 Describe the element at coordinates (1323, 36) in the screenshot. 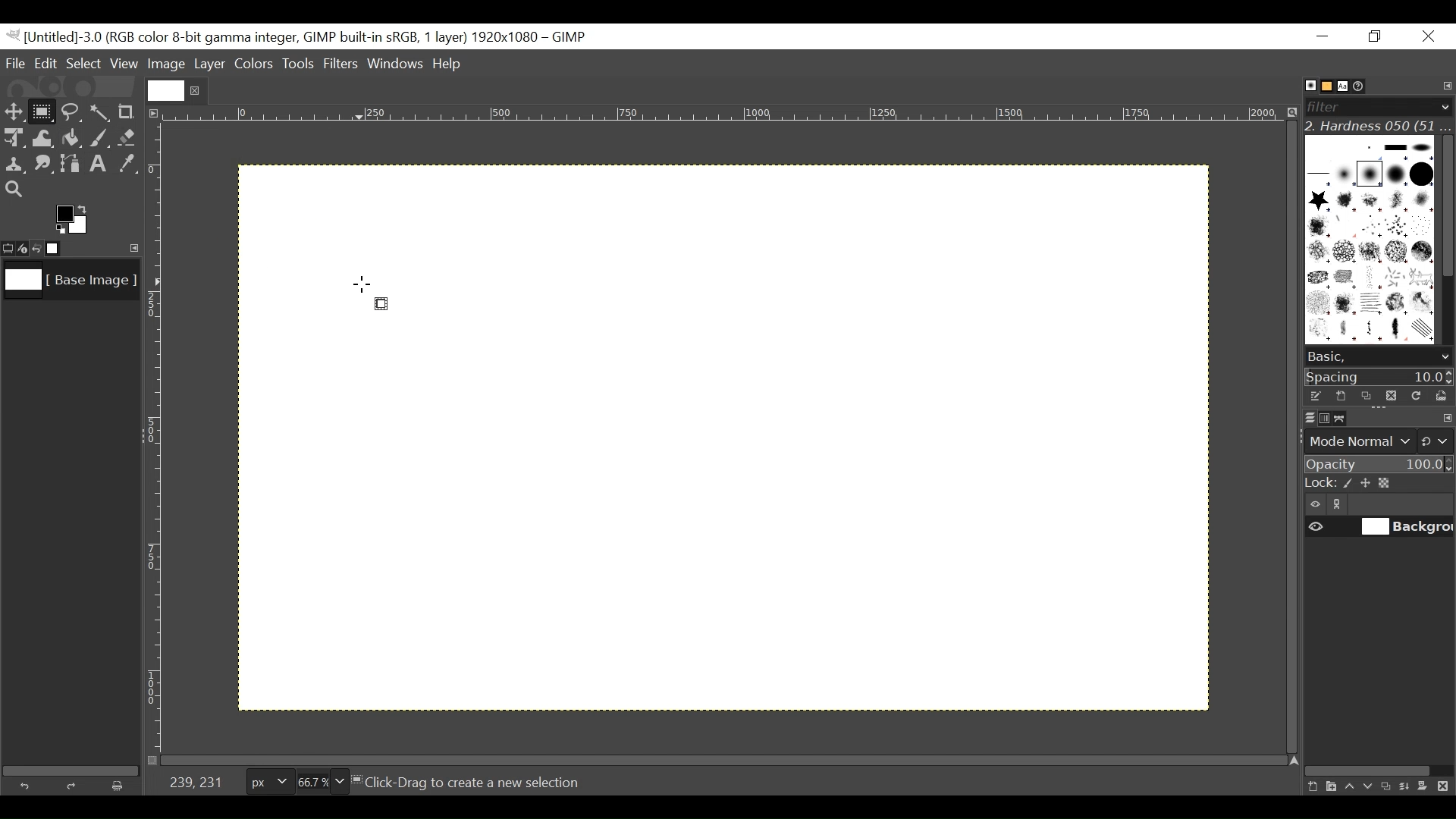

I see `Minimize` at that location.